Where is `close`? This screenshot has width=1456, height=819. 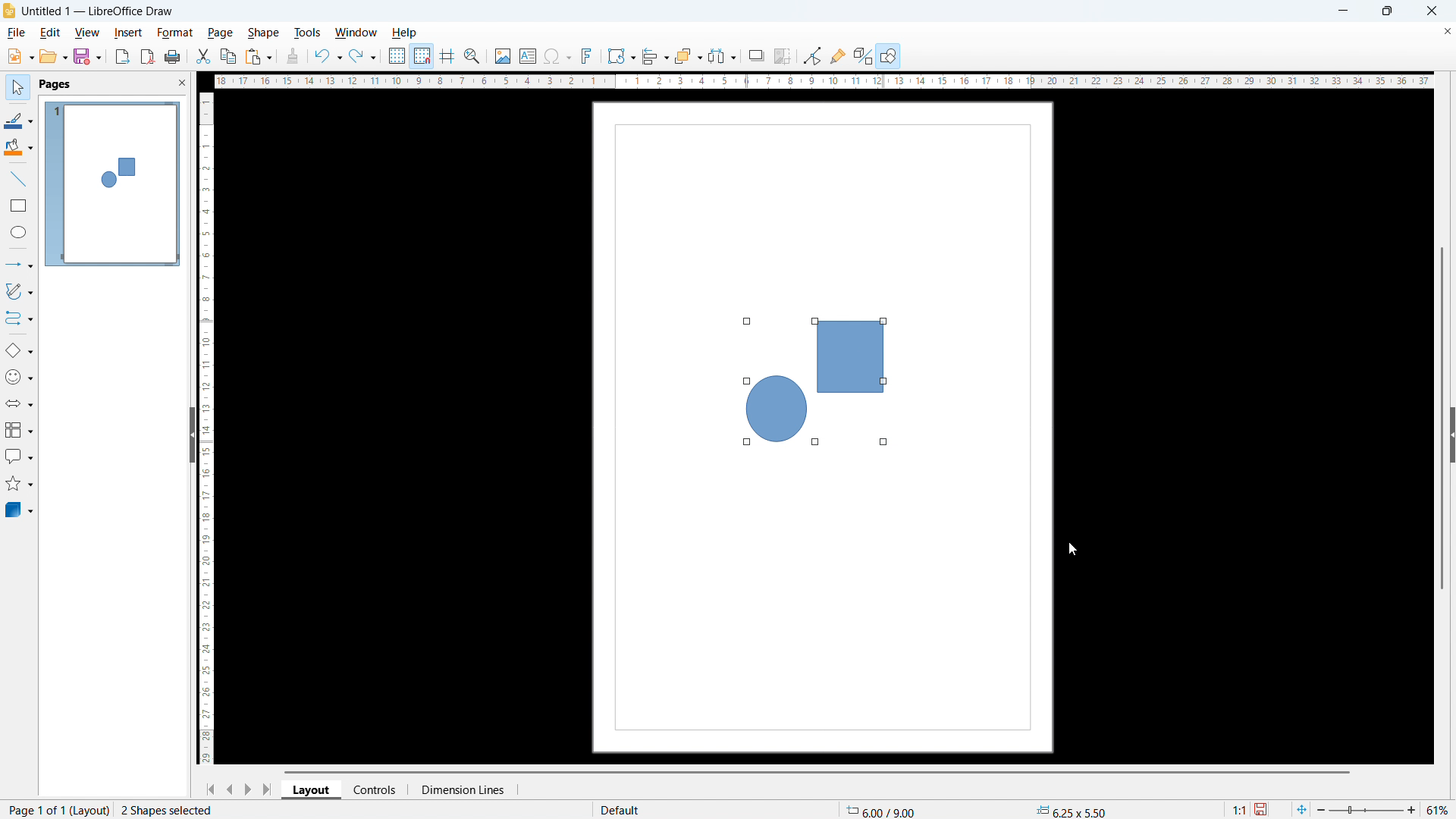 close is located at coordinates (1432, 11).